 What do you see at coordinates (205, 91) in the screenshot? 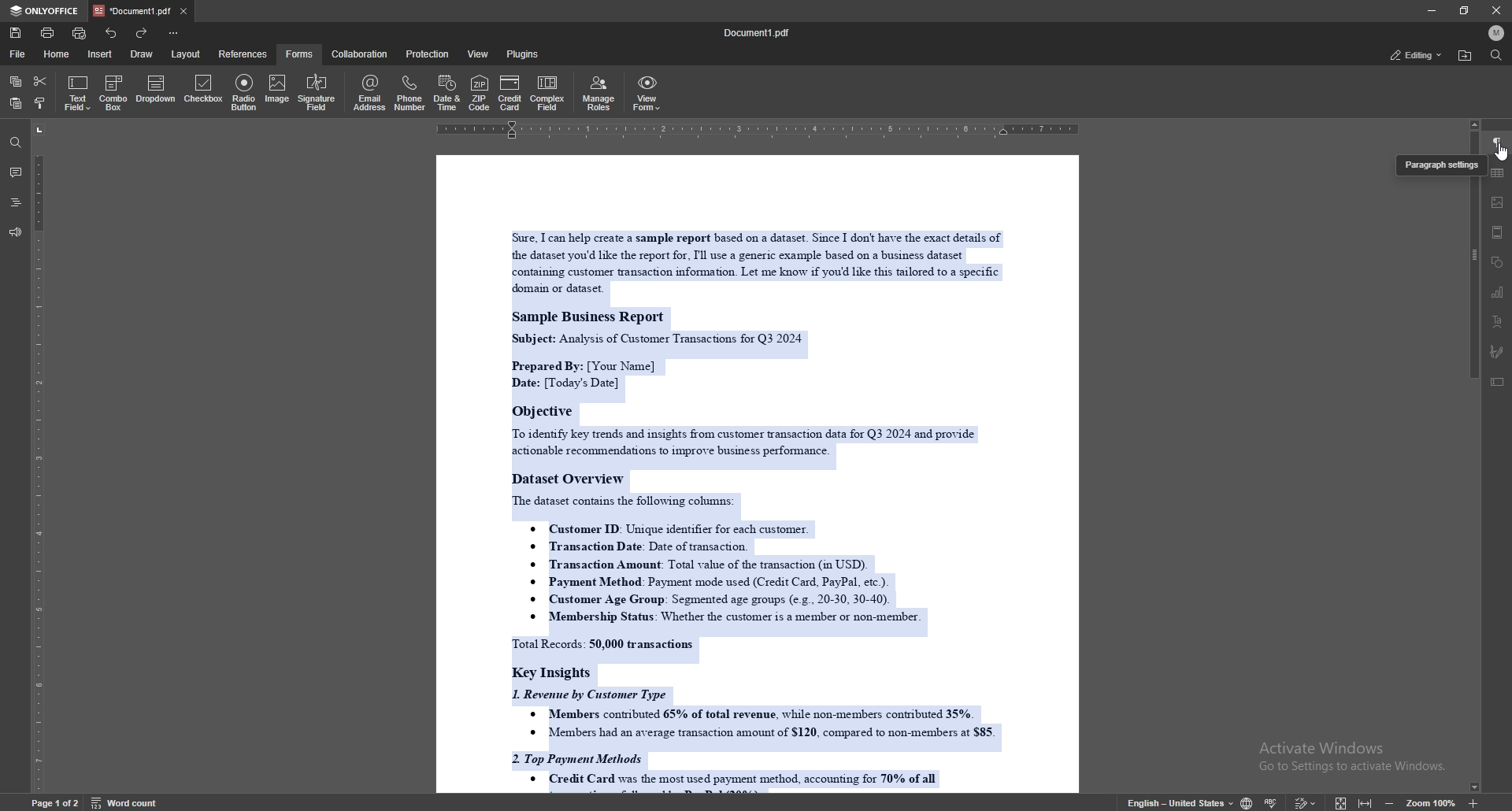
I see `checkbox` at bounding box center [205, 91].